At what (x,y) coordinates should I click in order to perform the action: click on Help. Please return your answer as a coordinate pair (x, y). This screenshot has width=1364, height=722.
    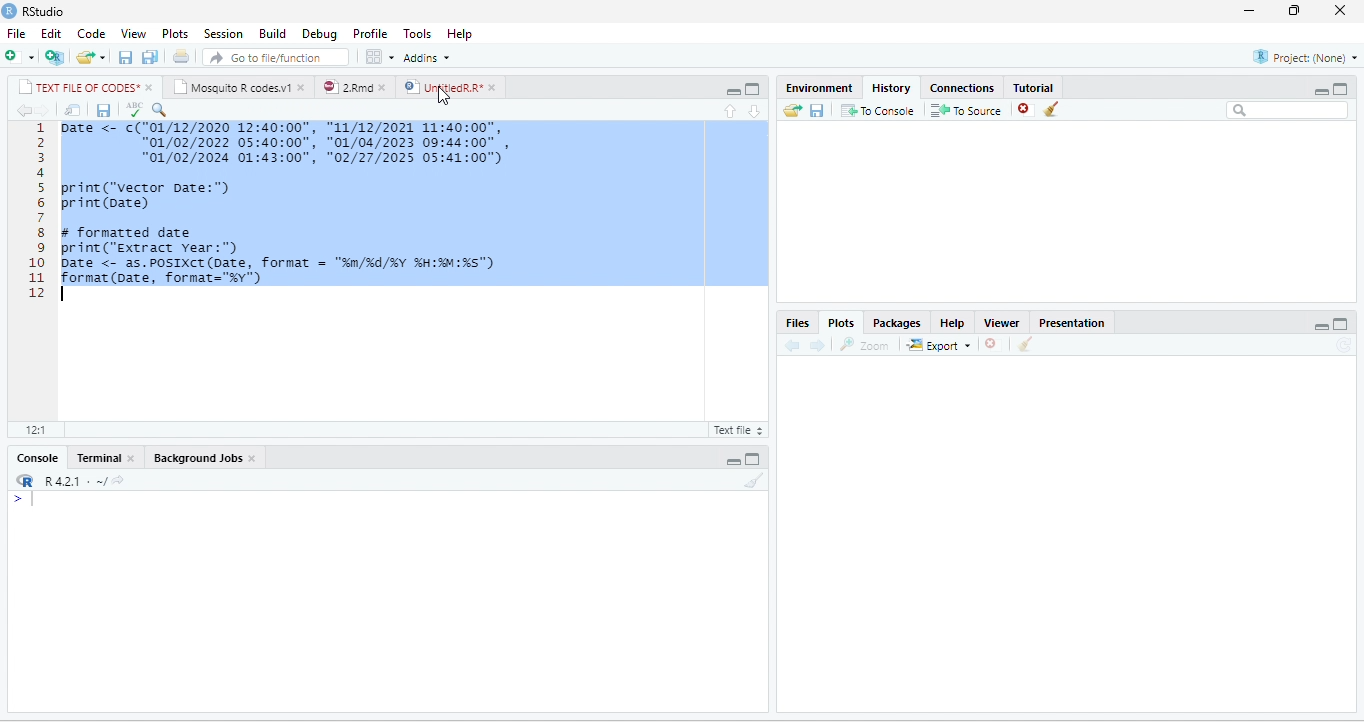
    Looking at the image, I should click on (953, 323).